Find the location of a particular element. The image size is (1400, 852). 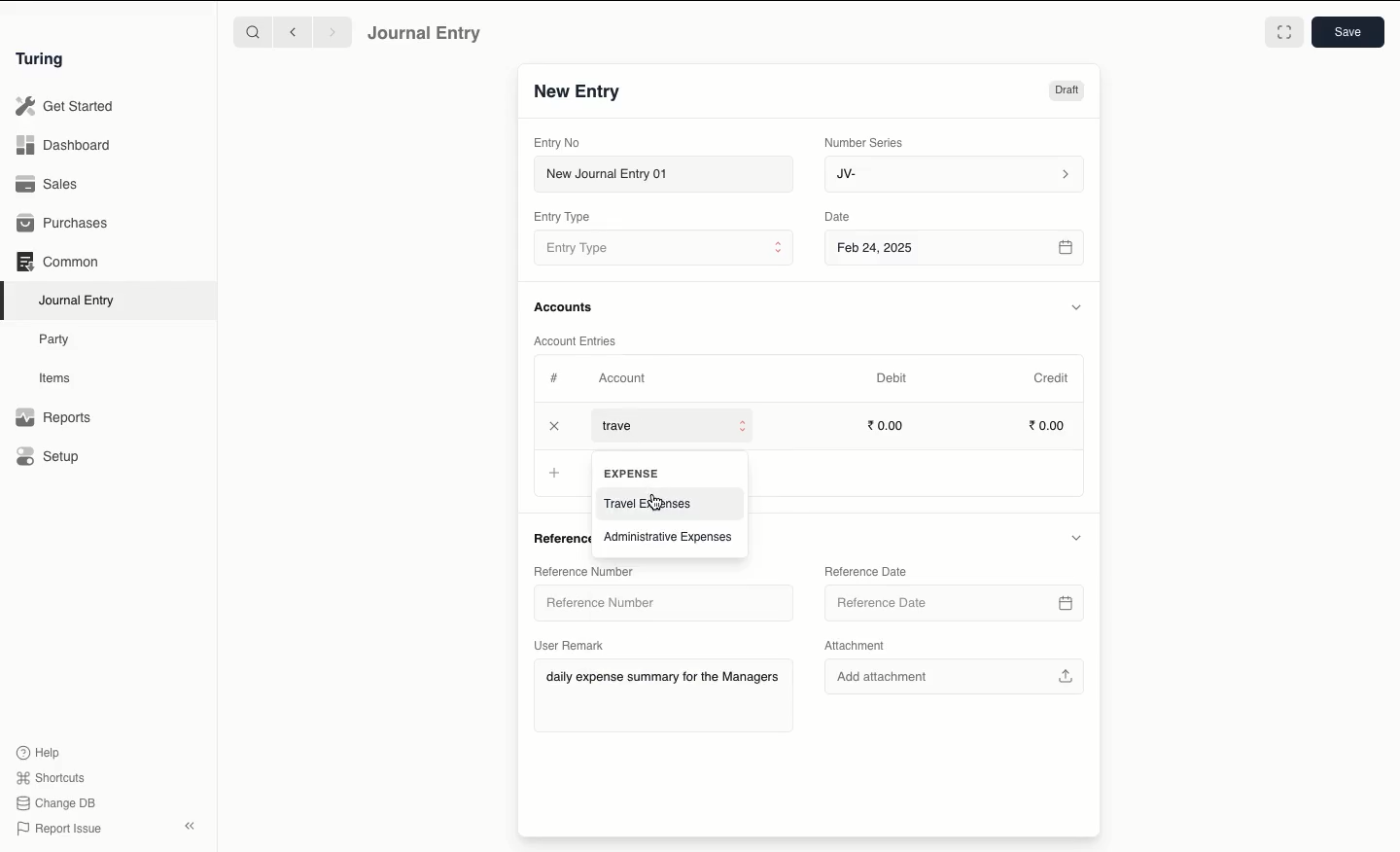

Reference Number is located at coordinates (656, 603).